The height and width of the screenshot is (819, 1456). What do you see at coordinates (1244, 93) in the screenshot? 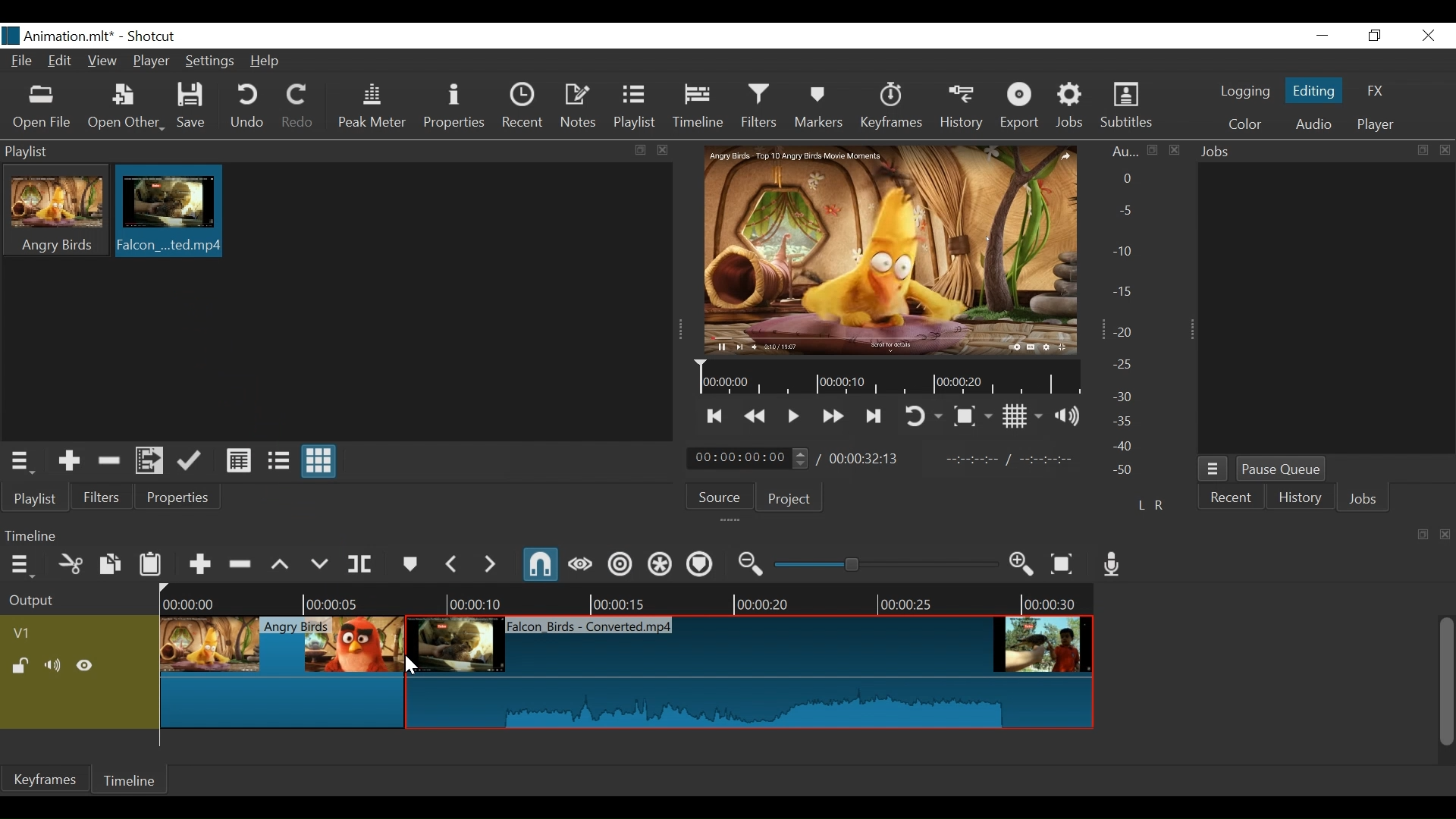
I see `logging` at bounding box center [1244, 93].